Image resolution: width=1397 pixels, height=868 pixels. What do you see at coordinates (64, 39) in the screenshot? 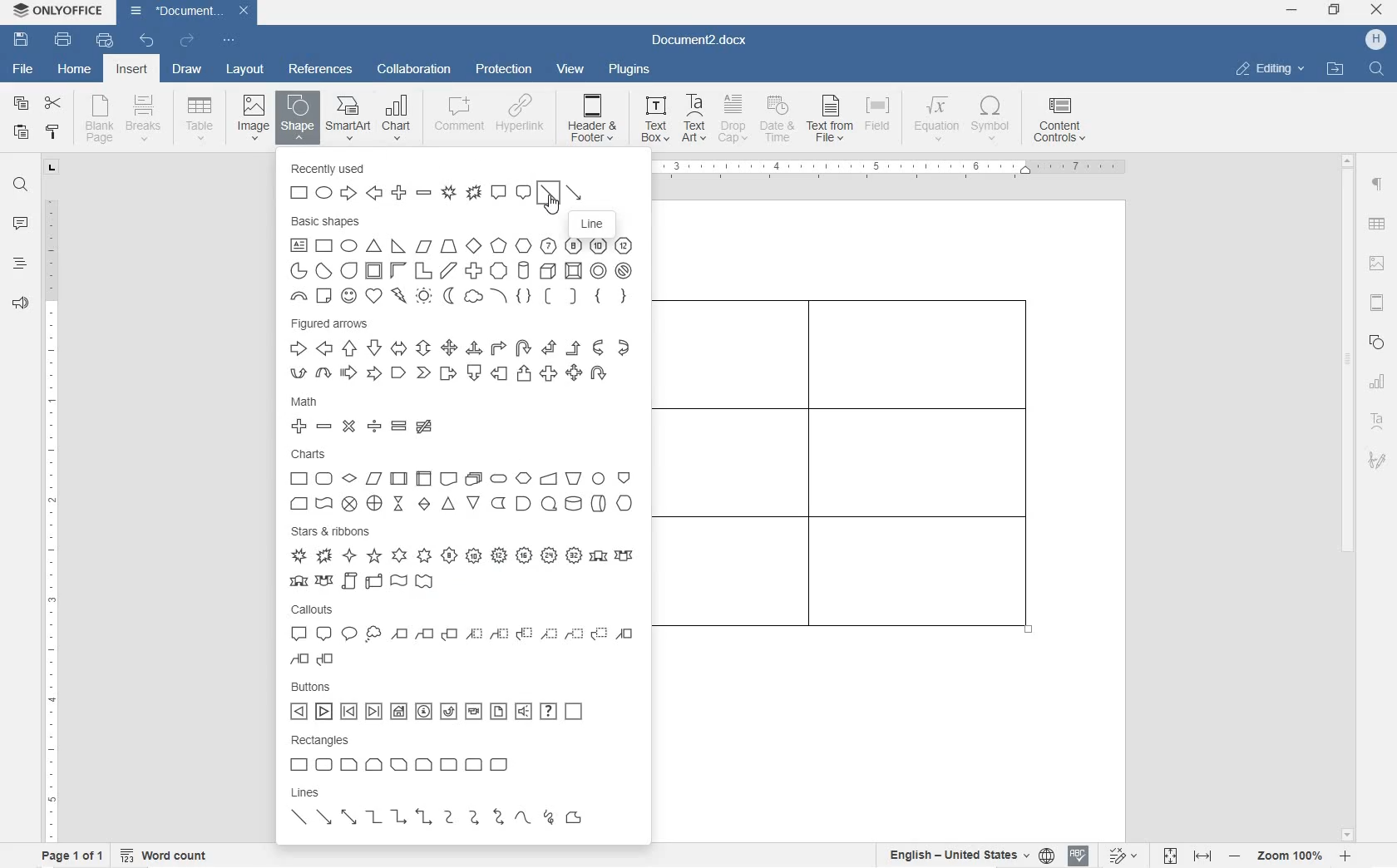
I see `print` at bounding box center [64, 39].